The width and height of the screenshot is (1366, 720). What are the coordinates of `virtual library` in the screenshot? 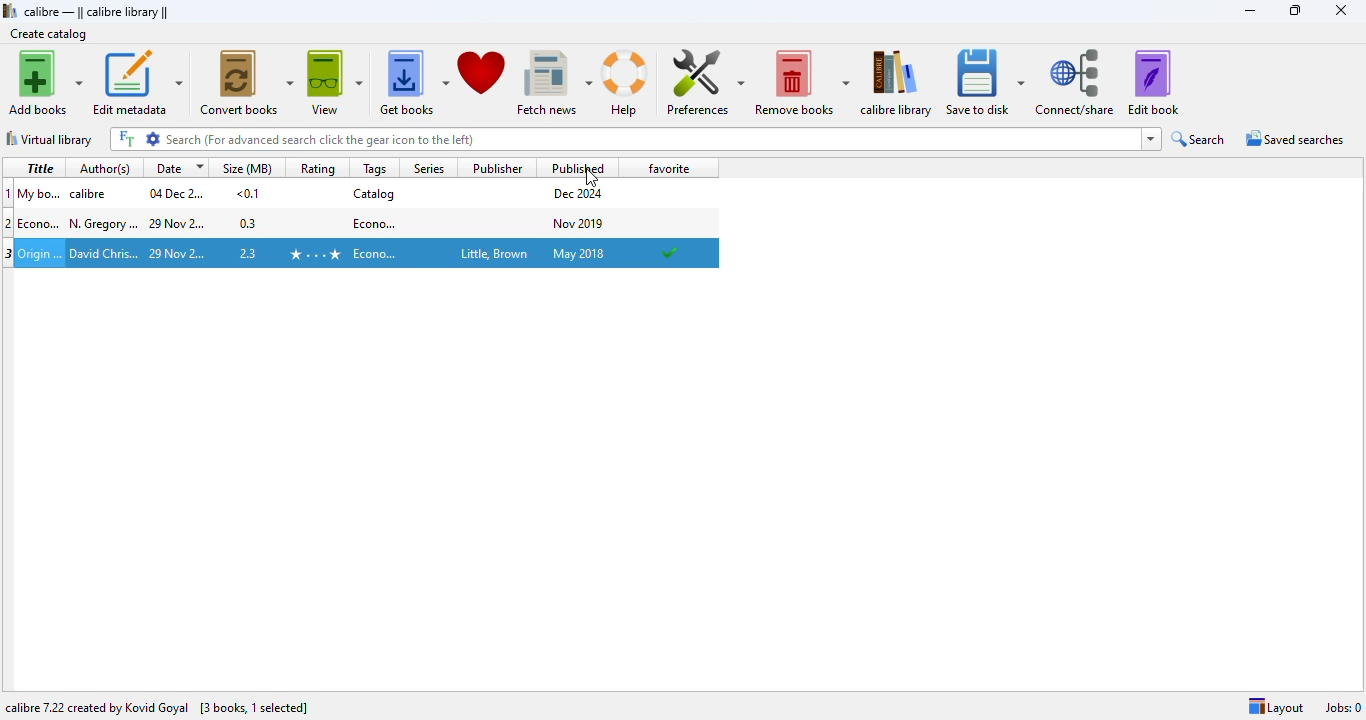 It's located at (50, 139).